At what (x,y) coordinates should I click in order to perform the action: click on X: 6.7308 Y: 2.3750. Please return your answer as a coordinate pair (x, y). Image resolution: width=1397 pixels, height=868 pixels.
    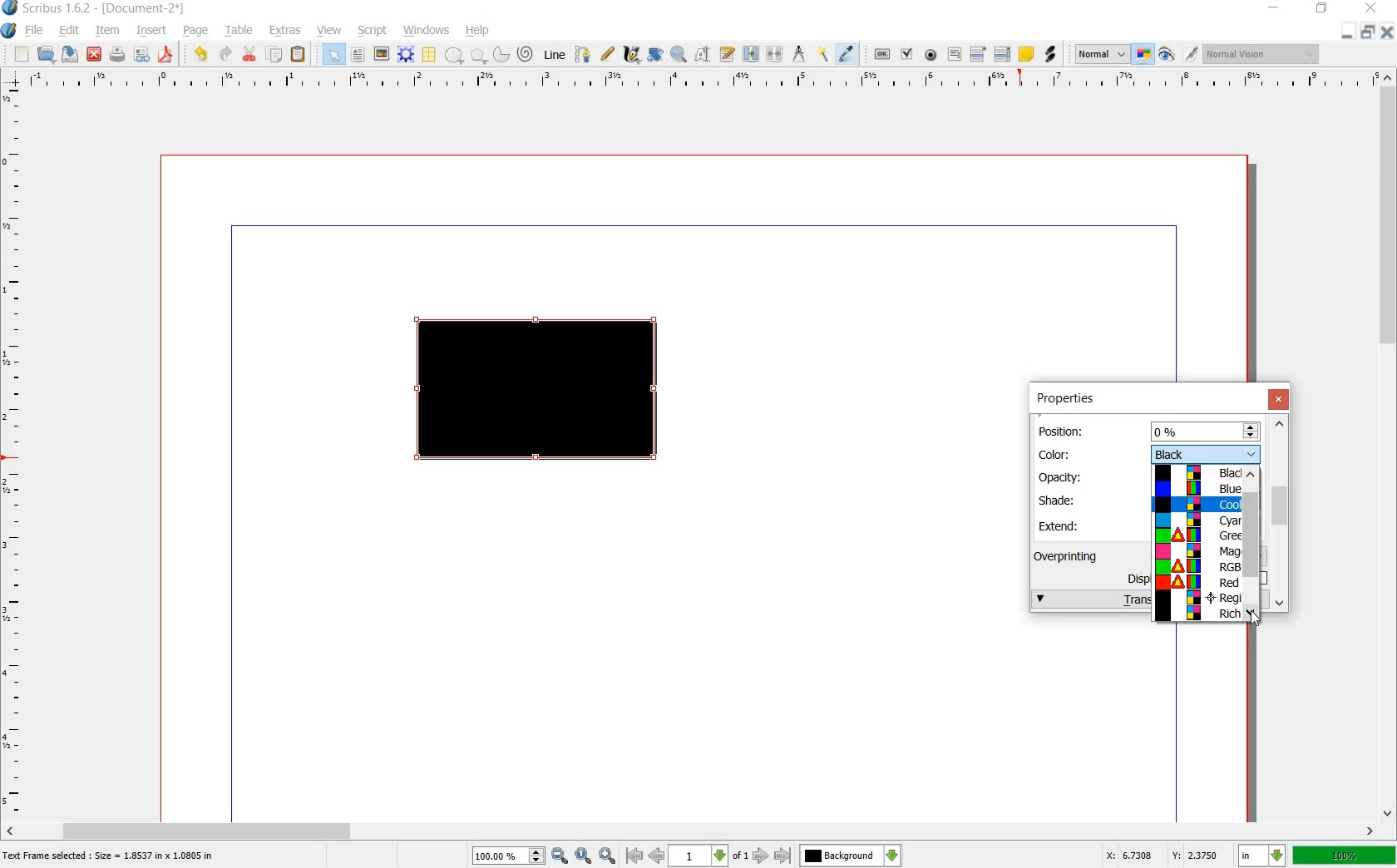
    Looking at the image, I should click on (1162, 855).